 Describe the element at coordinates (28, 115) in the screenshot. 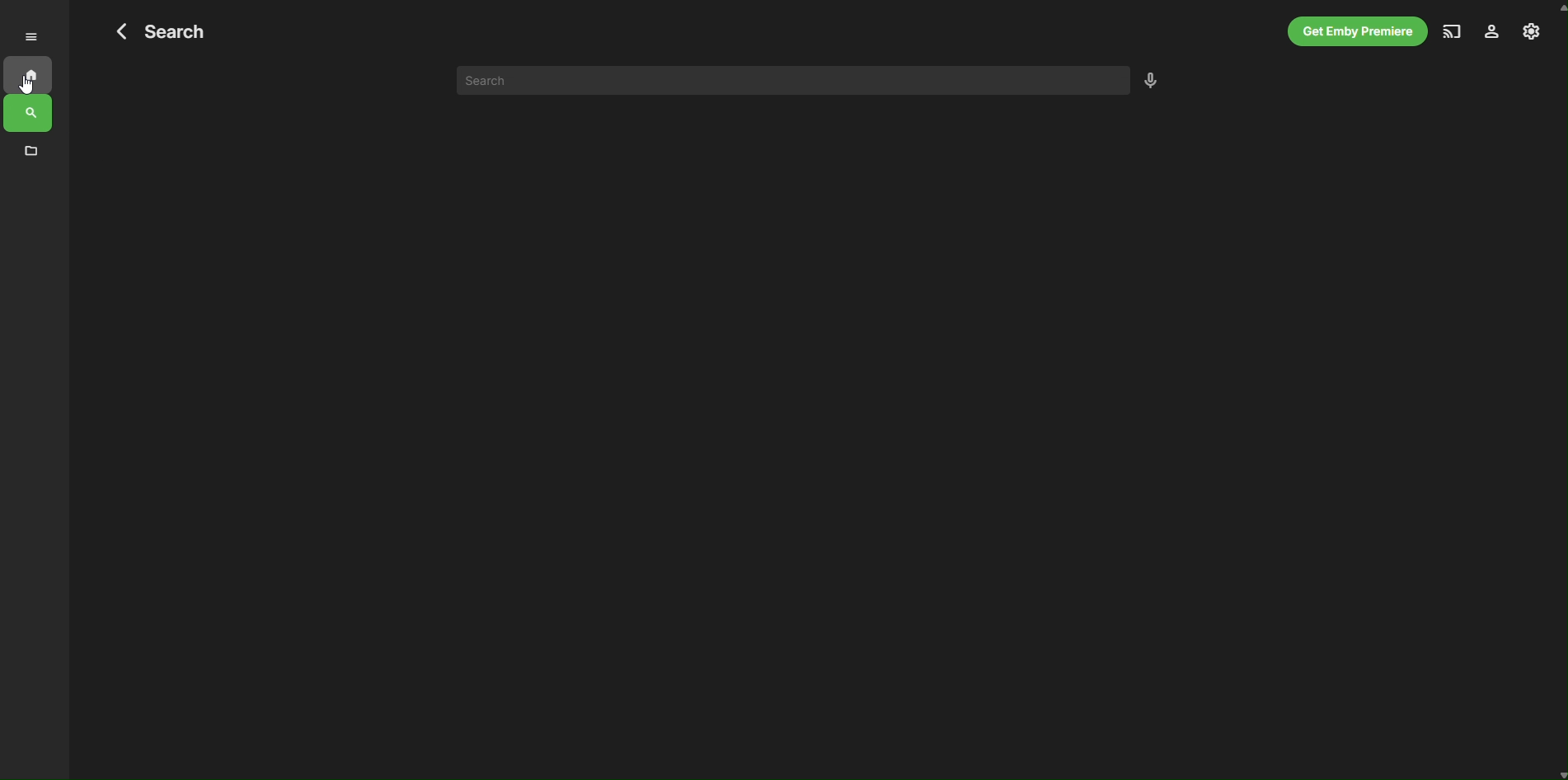

I see `Search` at that location.